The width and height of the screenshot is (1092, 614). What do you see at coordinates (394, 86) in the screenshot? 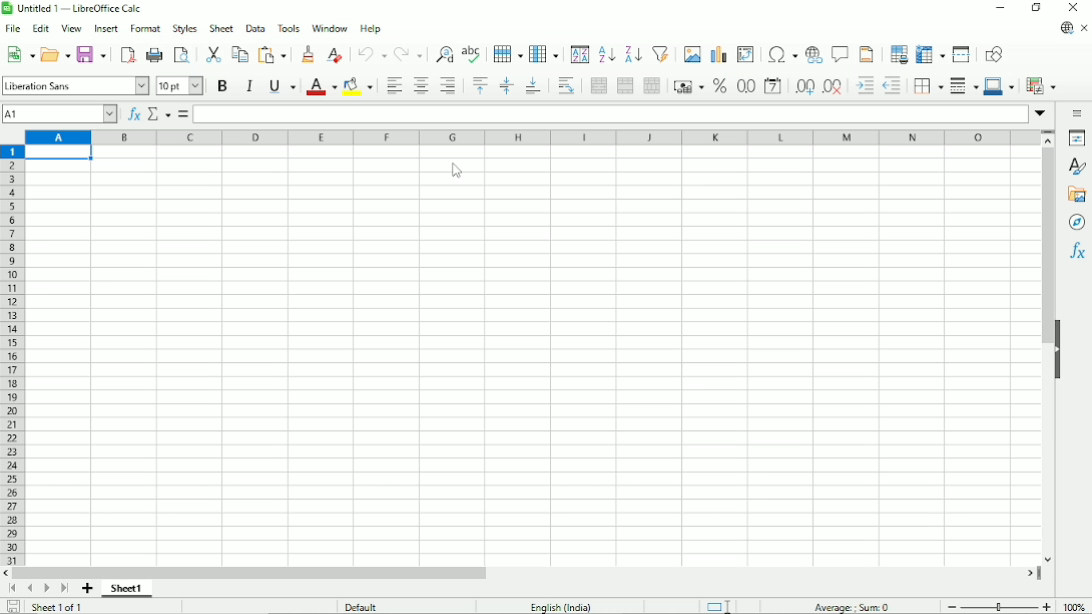
I see `Align left` at bounding box center [394, 86].